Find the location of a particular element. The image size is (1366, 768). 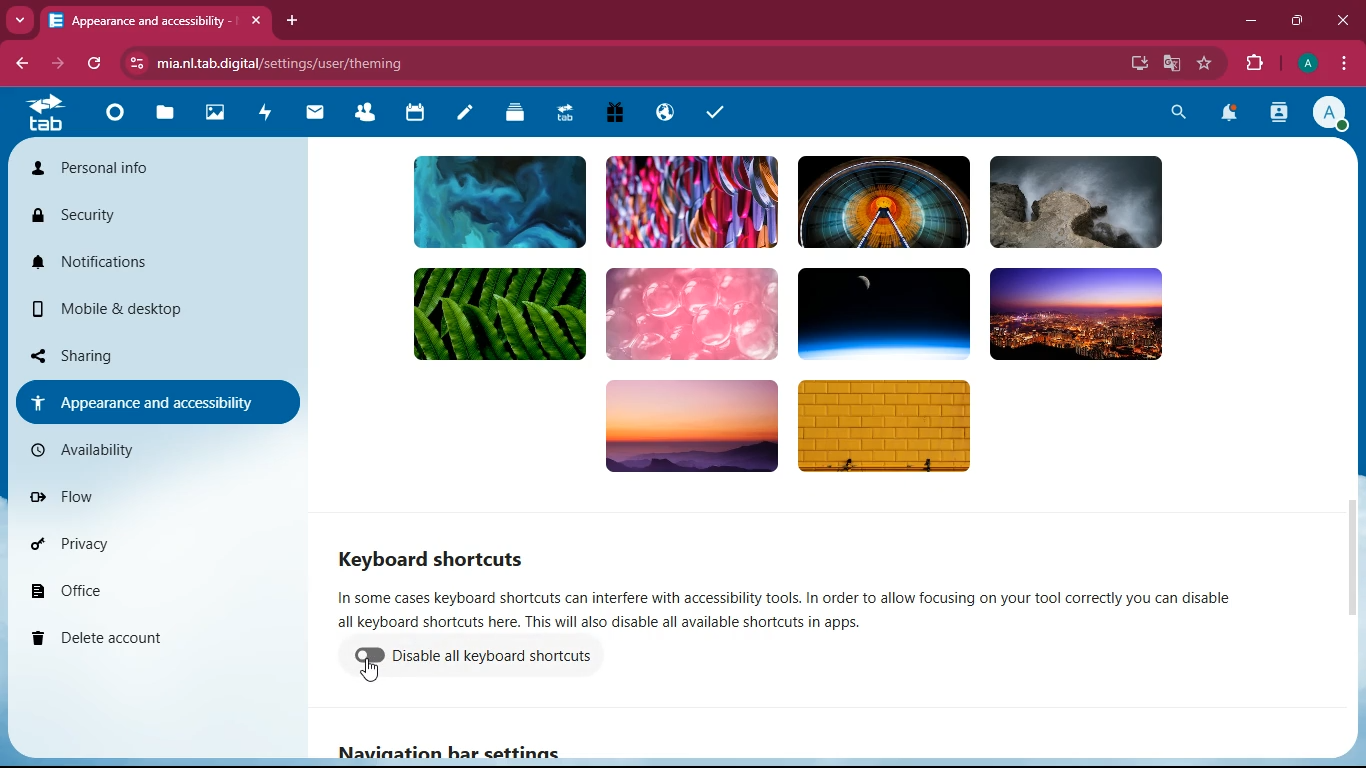

menu is located at coordinates (1341, 62).